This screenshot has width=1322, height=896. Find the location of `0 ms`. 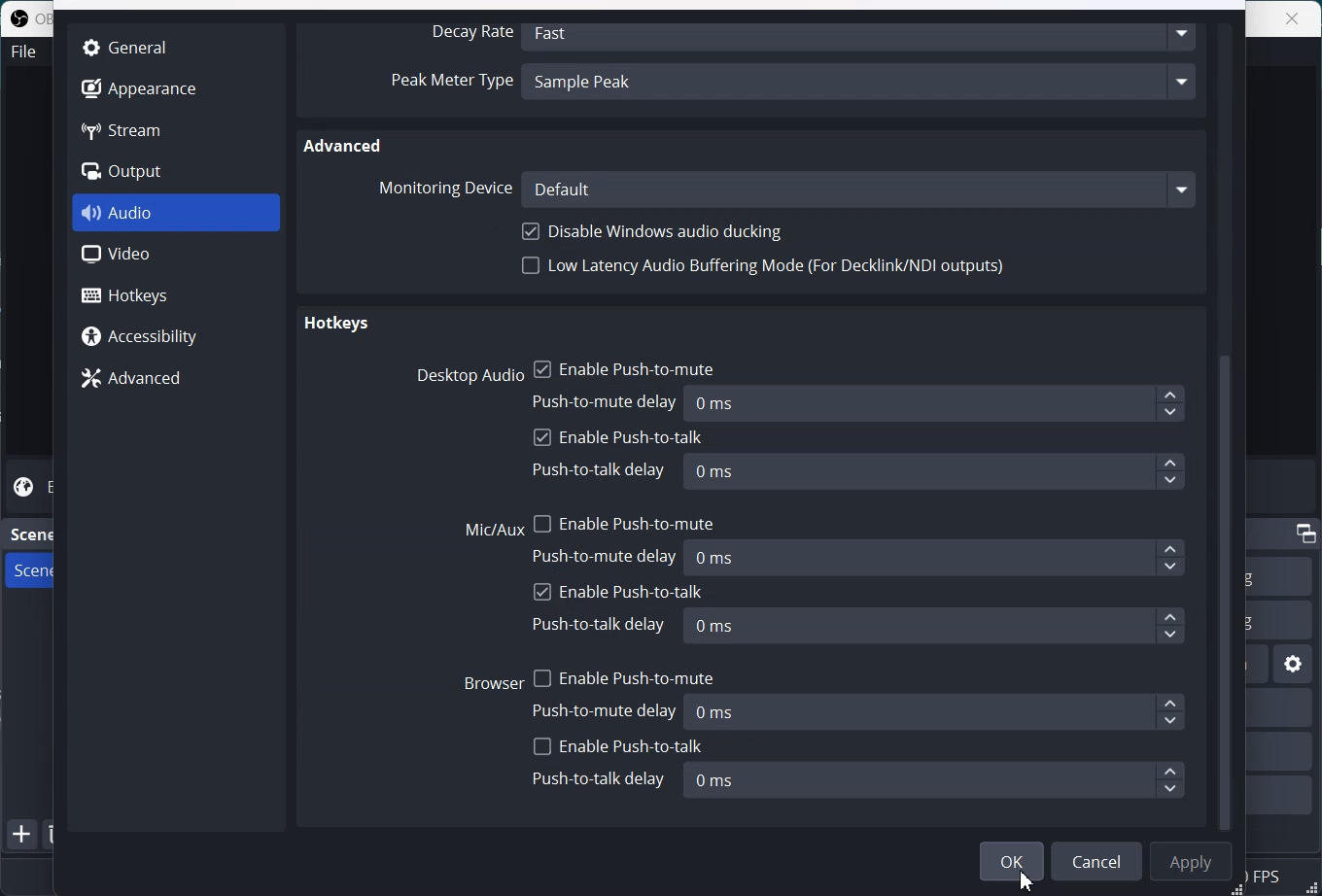

0 ms is located at coordinates (938, 557).